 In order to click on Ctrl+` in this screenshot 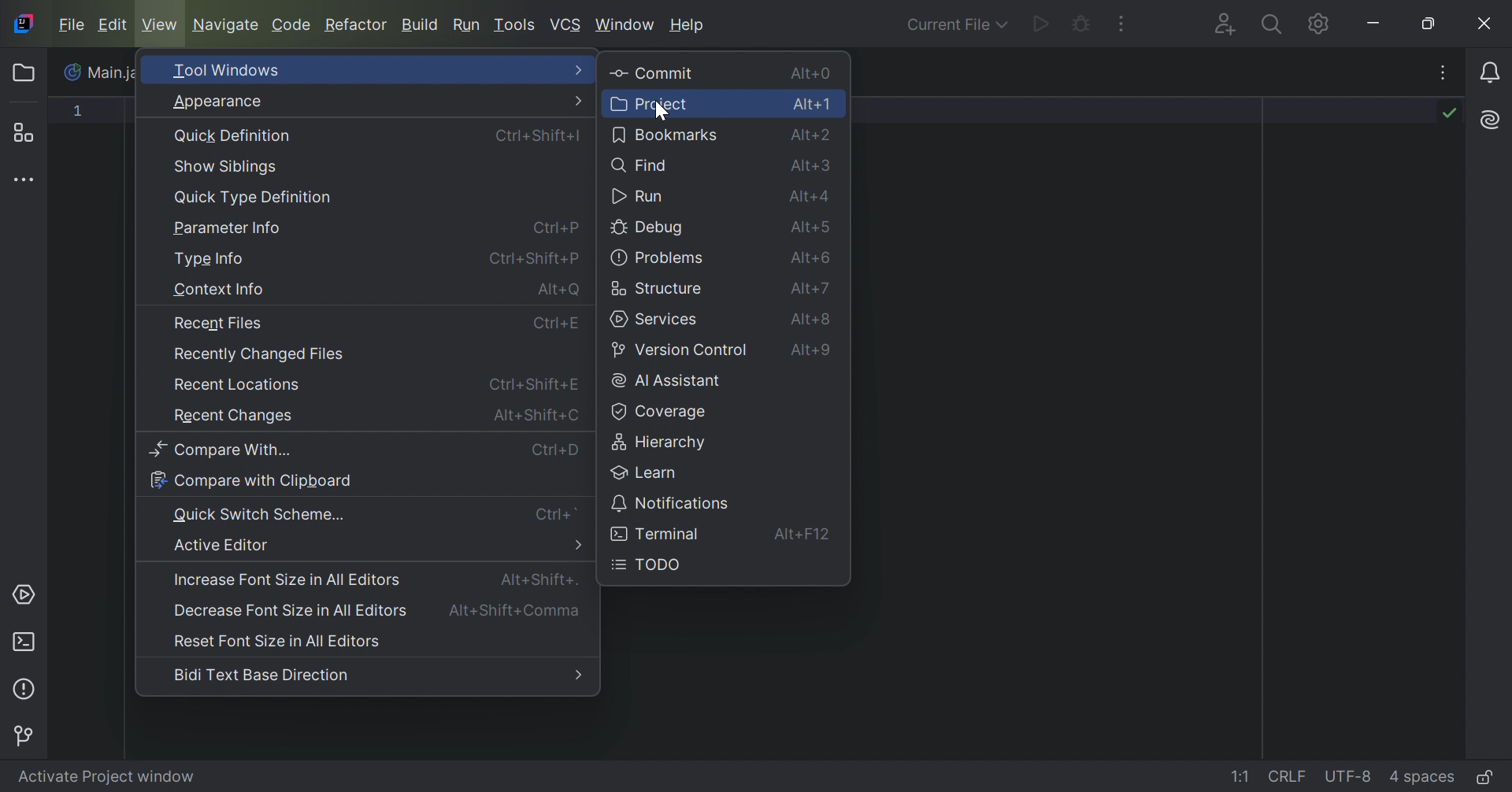, I will do `click(558, 514)`.